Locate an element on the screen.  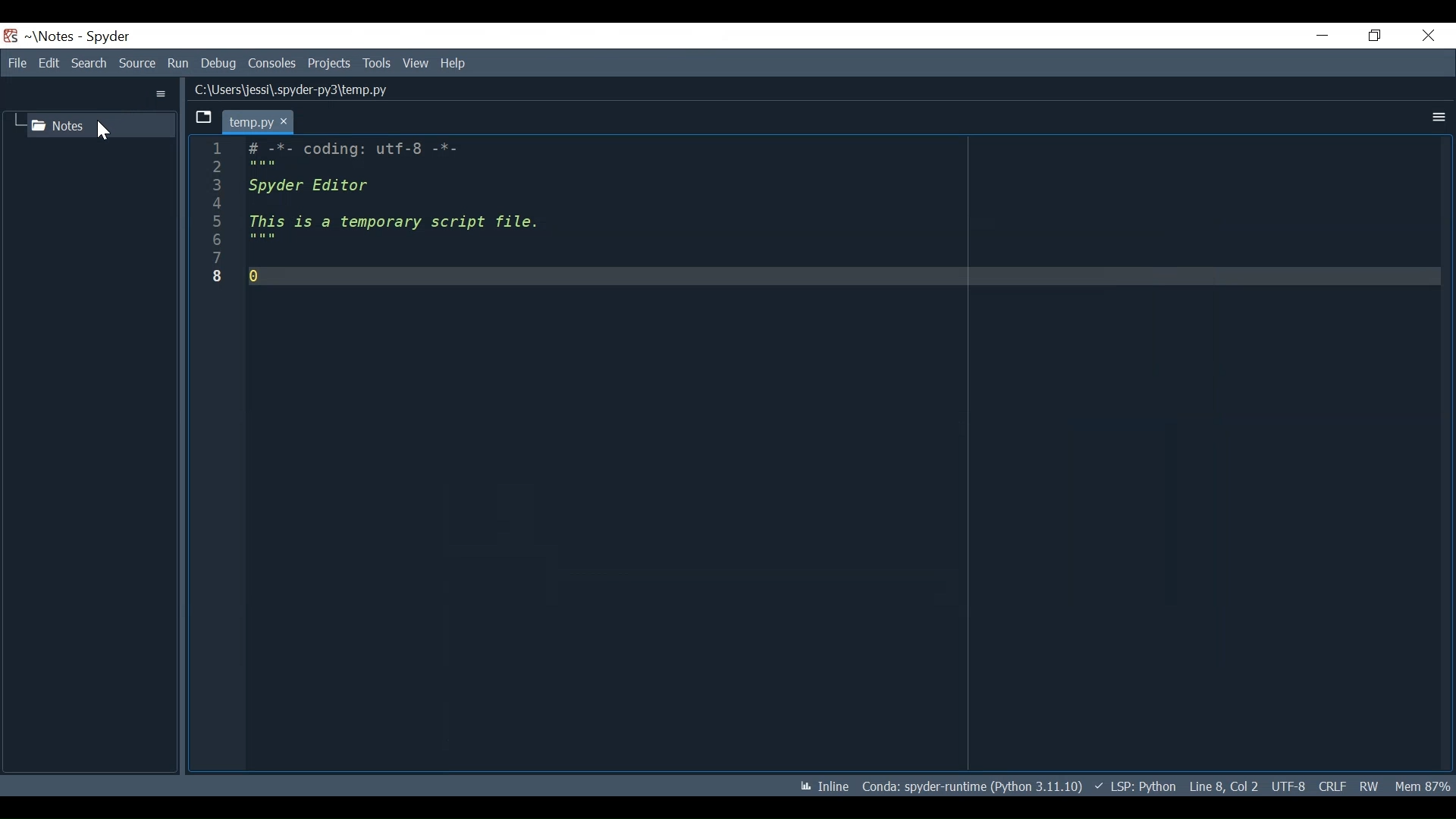
Restore is located at coordinates (1376, 35).